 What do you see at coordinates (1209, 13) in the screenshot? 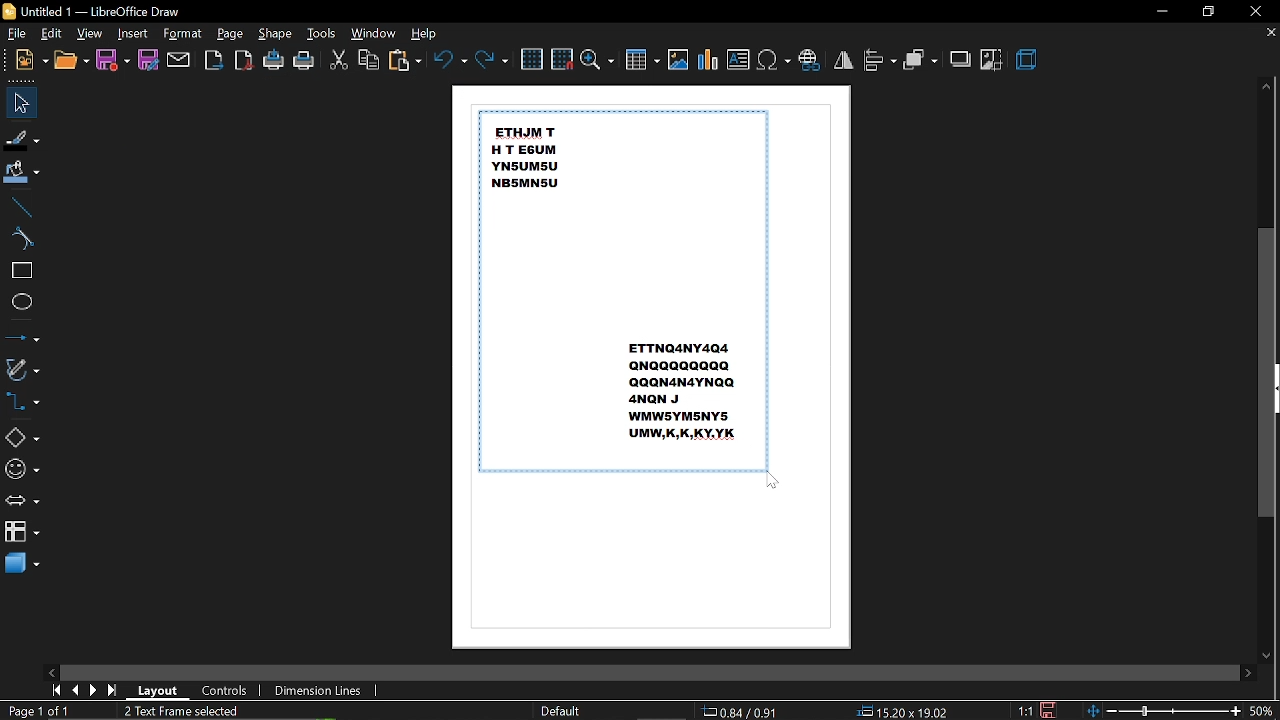
I see `restore down` at bounding box center [1209, 13].